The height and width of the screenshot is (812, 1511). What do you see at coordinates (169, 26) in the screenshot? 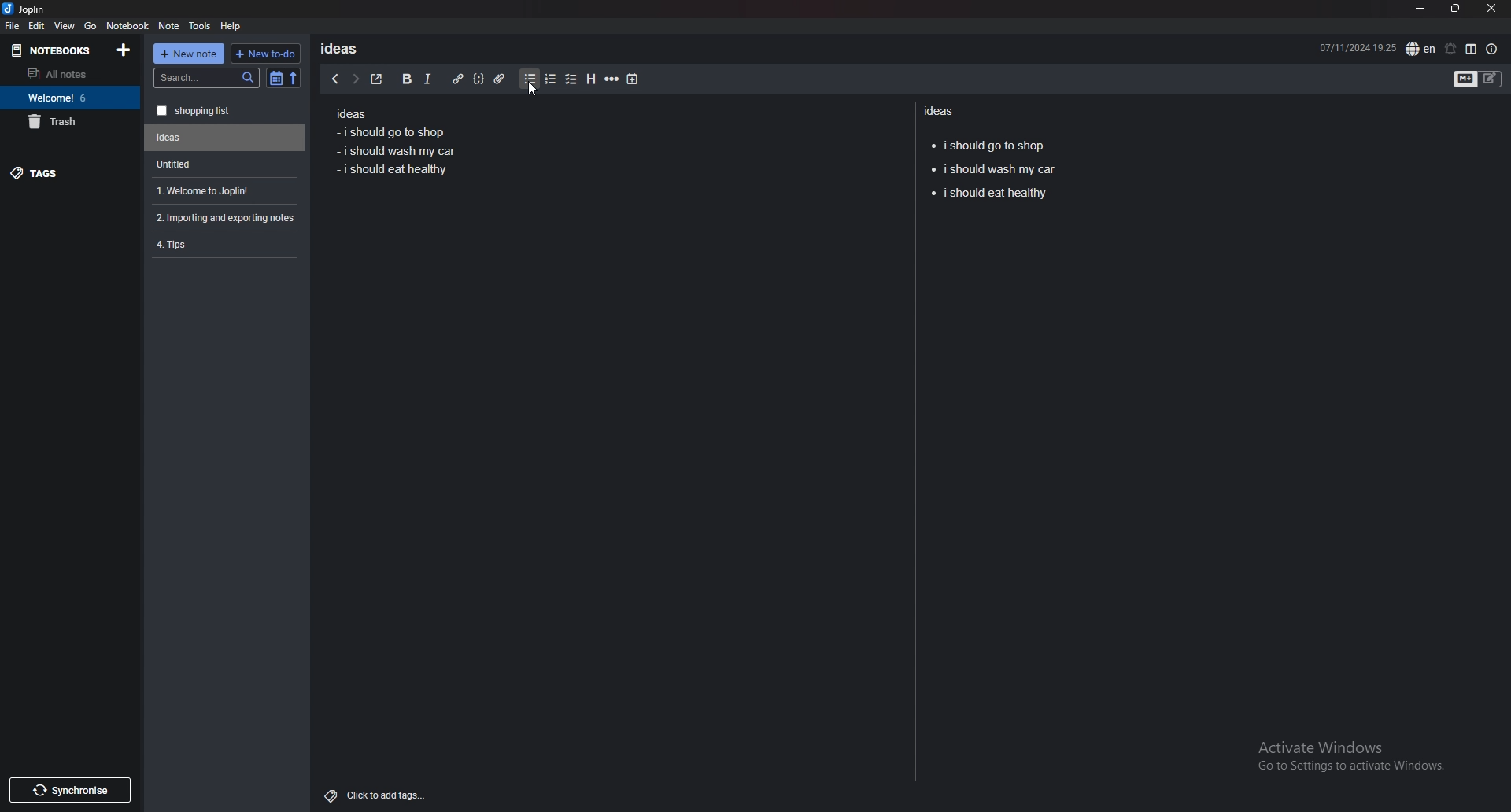
I see `note` at bounding box center [169, 26].